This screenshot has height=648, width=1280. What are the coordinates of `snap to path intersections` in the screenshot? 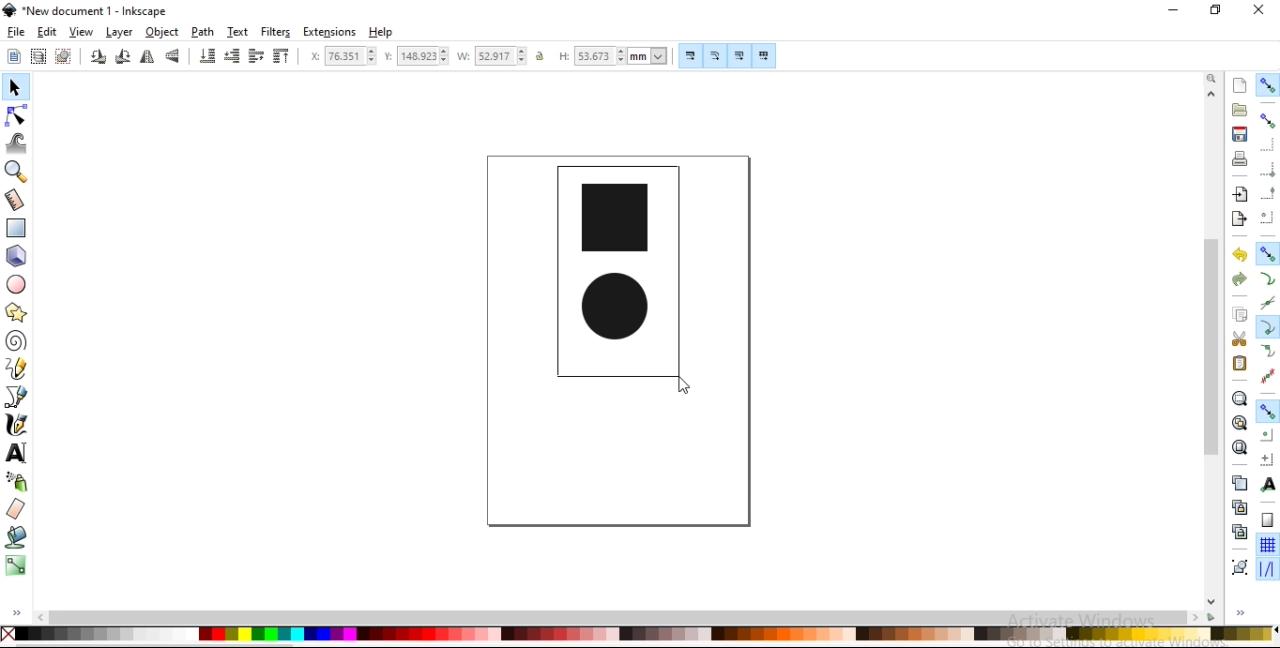 It's located at (1266, 301).